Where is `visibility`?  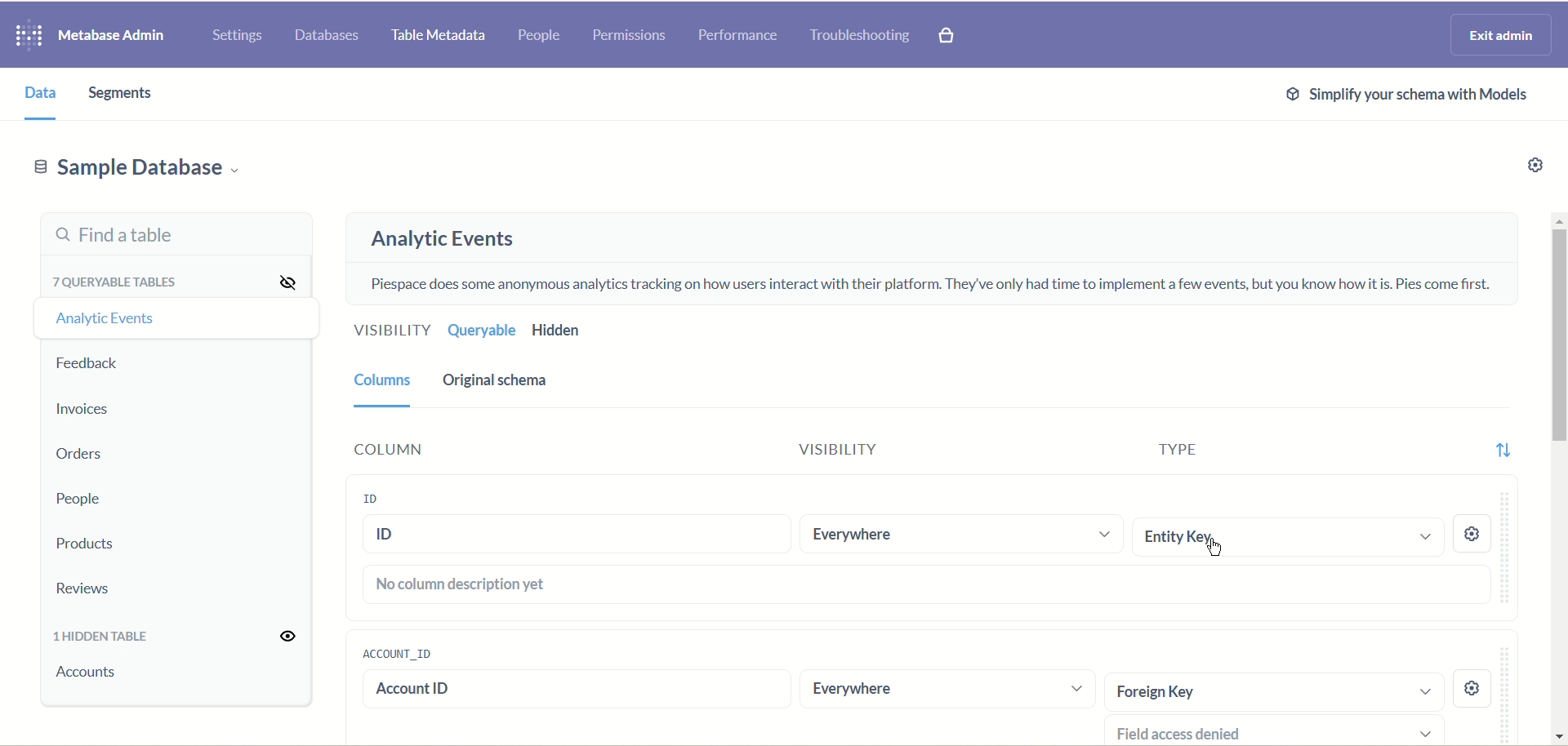
visibility is located at coordinates (391, 328).